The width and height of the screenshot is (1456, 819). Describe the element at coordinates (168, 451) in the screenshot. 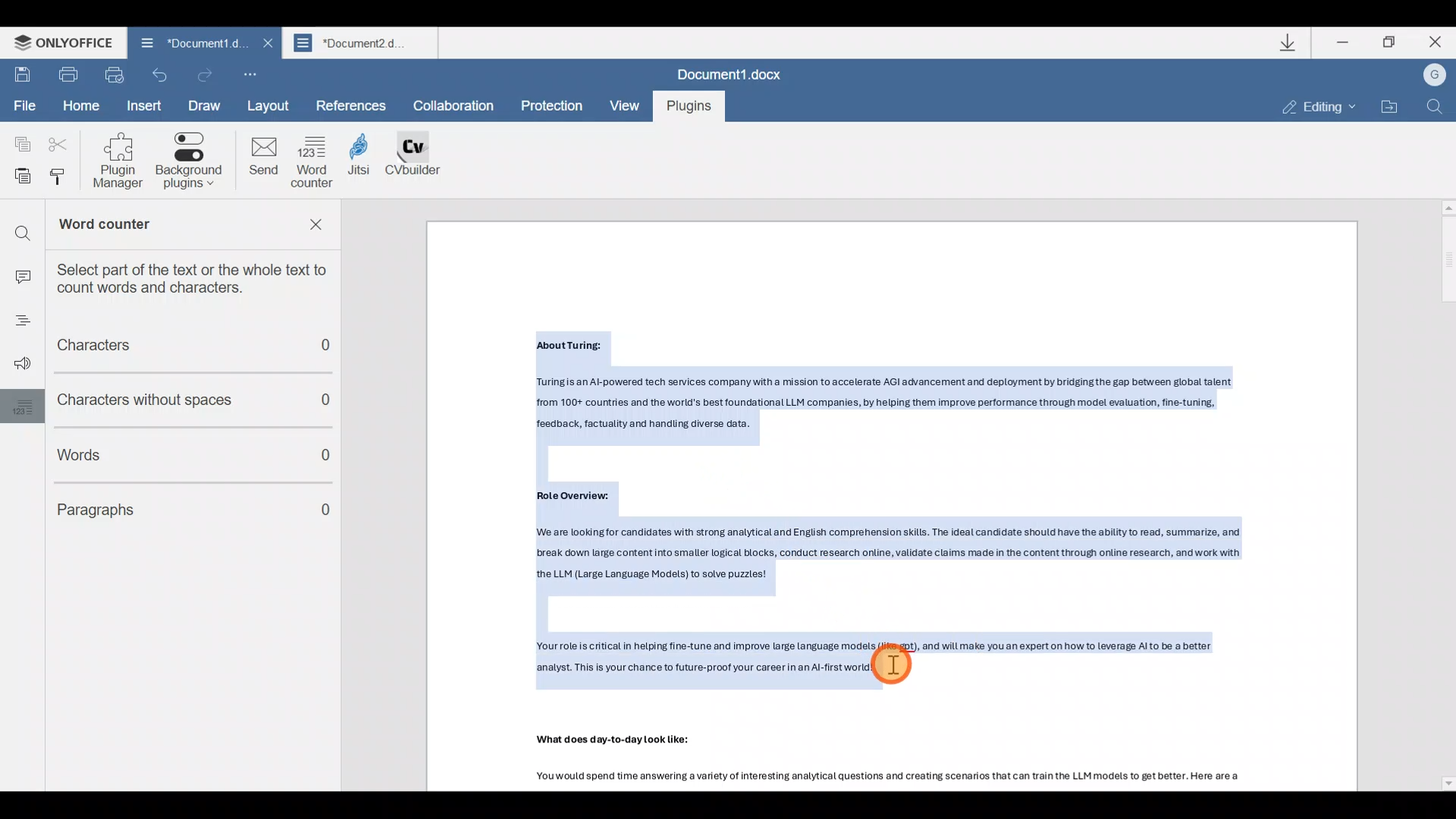

I see `Words count` at that location.